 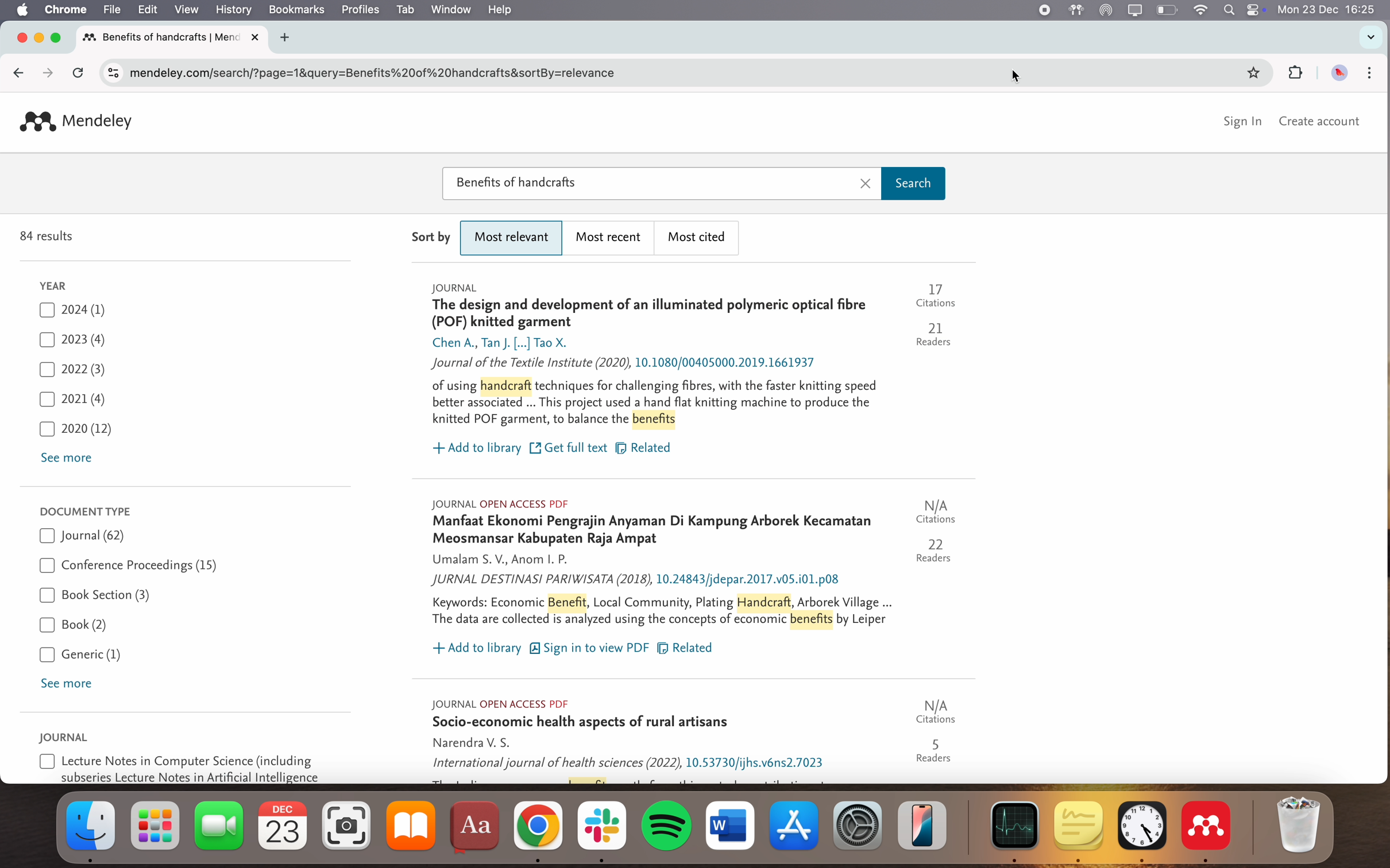 I want to click on 2022, so click(x=72, y=370).